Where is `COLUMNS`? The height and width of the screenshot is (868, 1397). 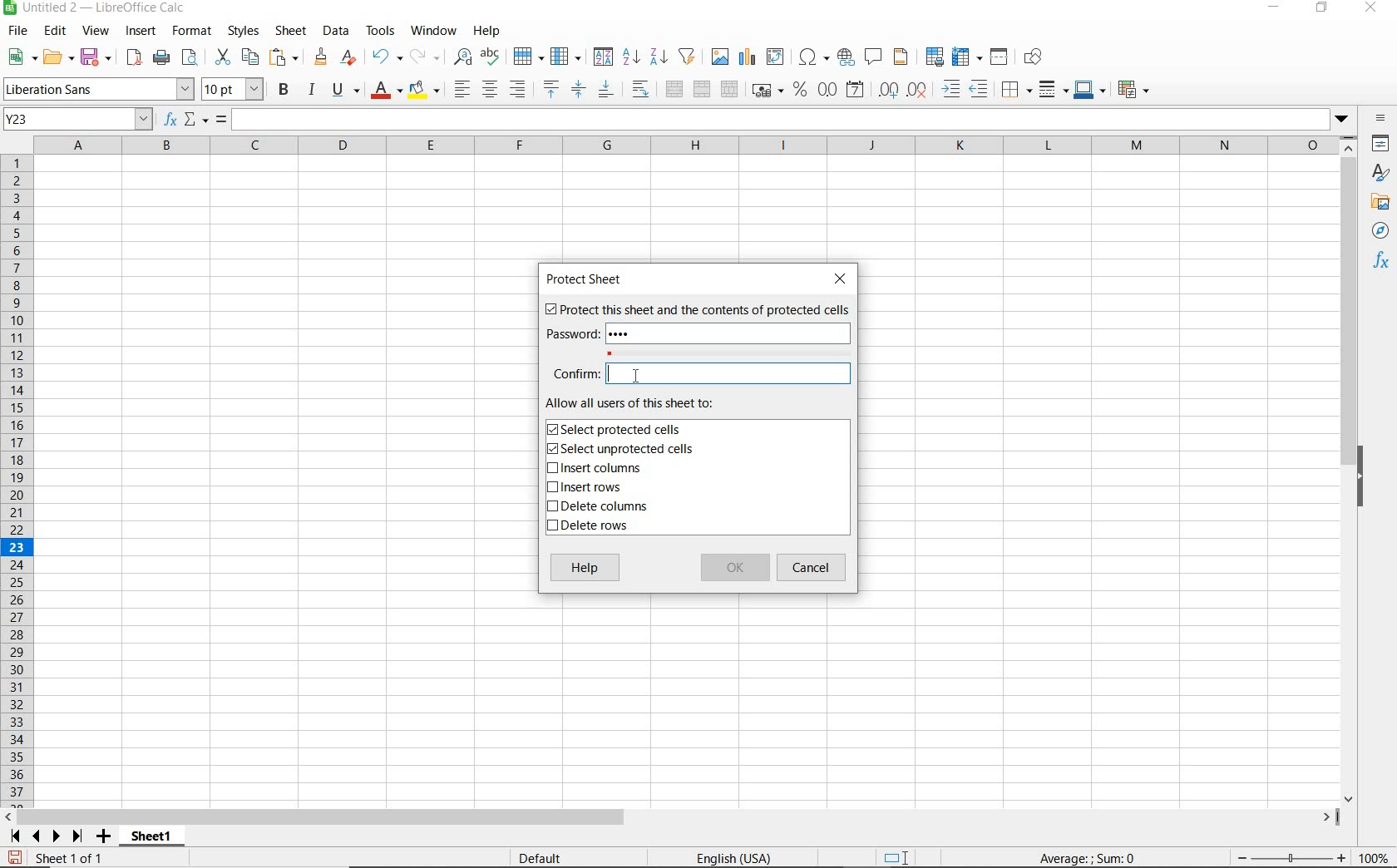 COLUMNS is located at coordinates (689, 145).